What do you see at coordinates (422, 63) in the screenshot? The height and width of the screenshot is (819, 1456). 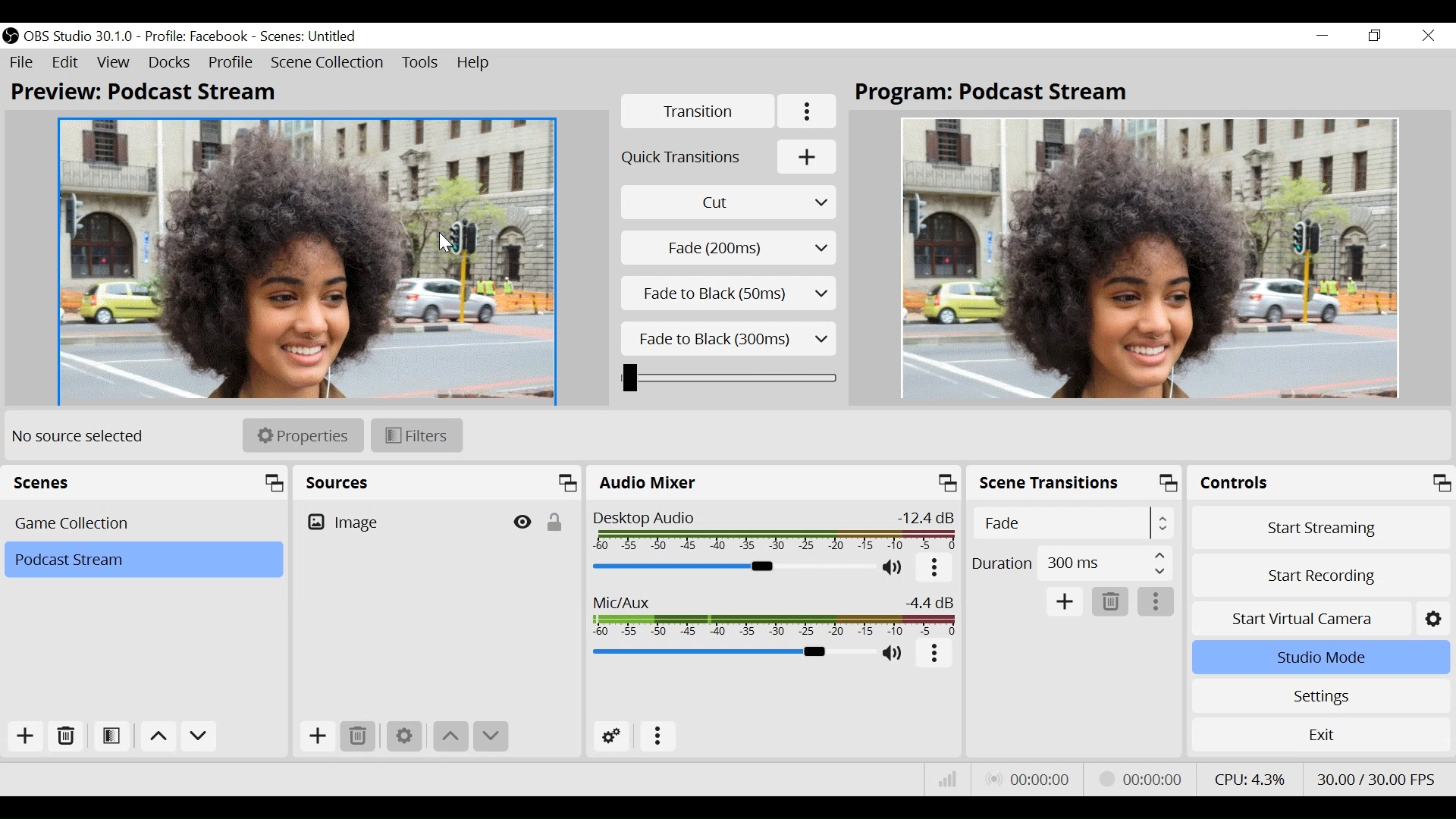 I see `Tools` at bounding box center [422, 63].